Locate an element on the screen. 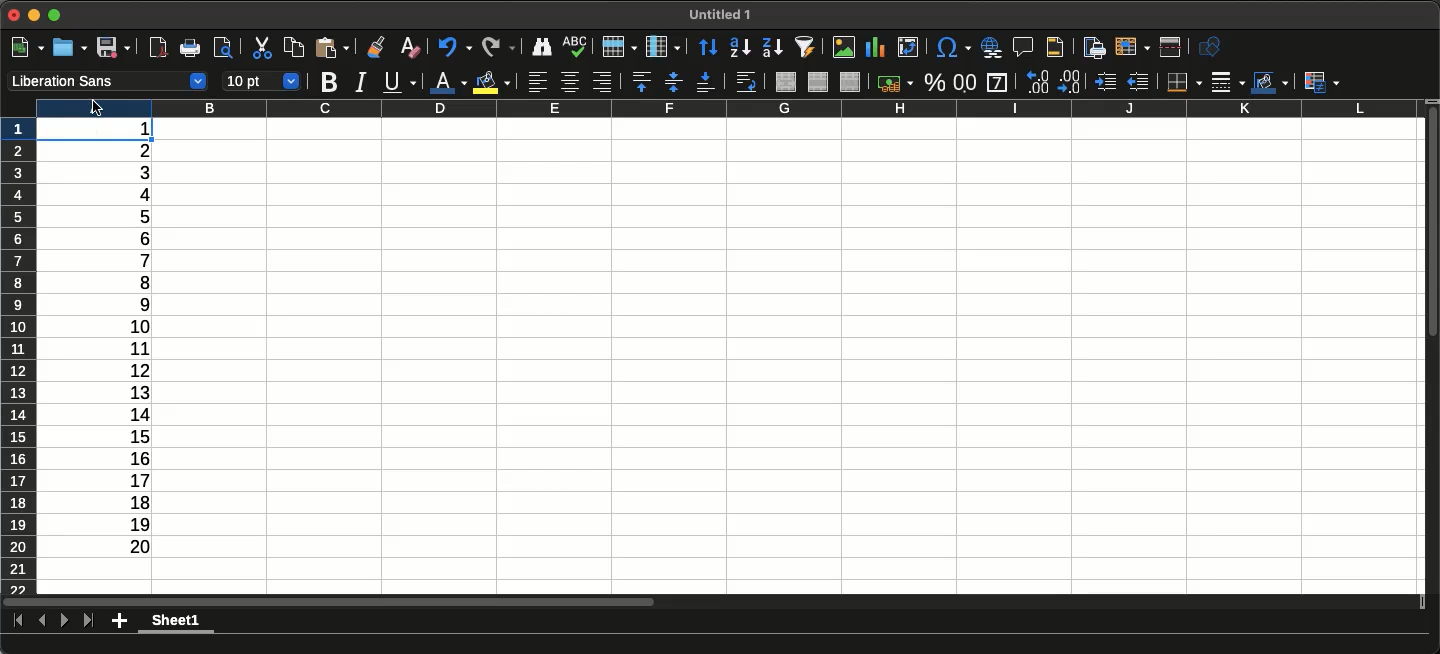  12 is located at coordinates (129, 371).